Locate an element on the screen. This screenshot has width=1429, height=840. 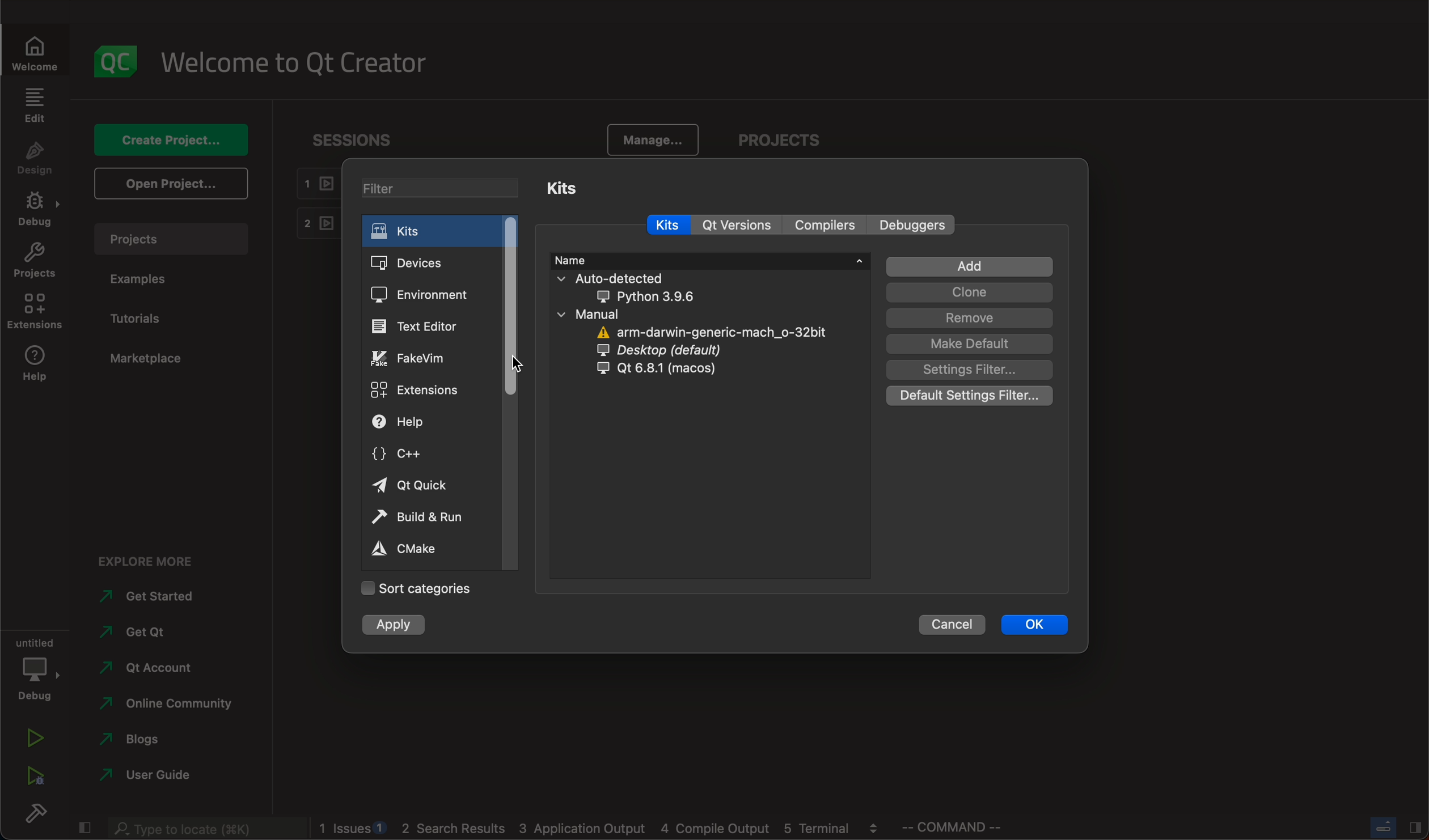
build is located at coordinates (420, 516).